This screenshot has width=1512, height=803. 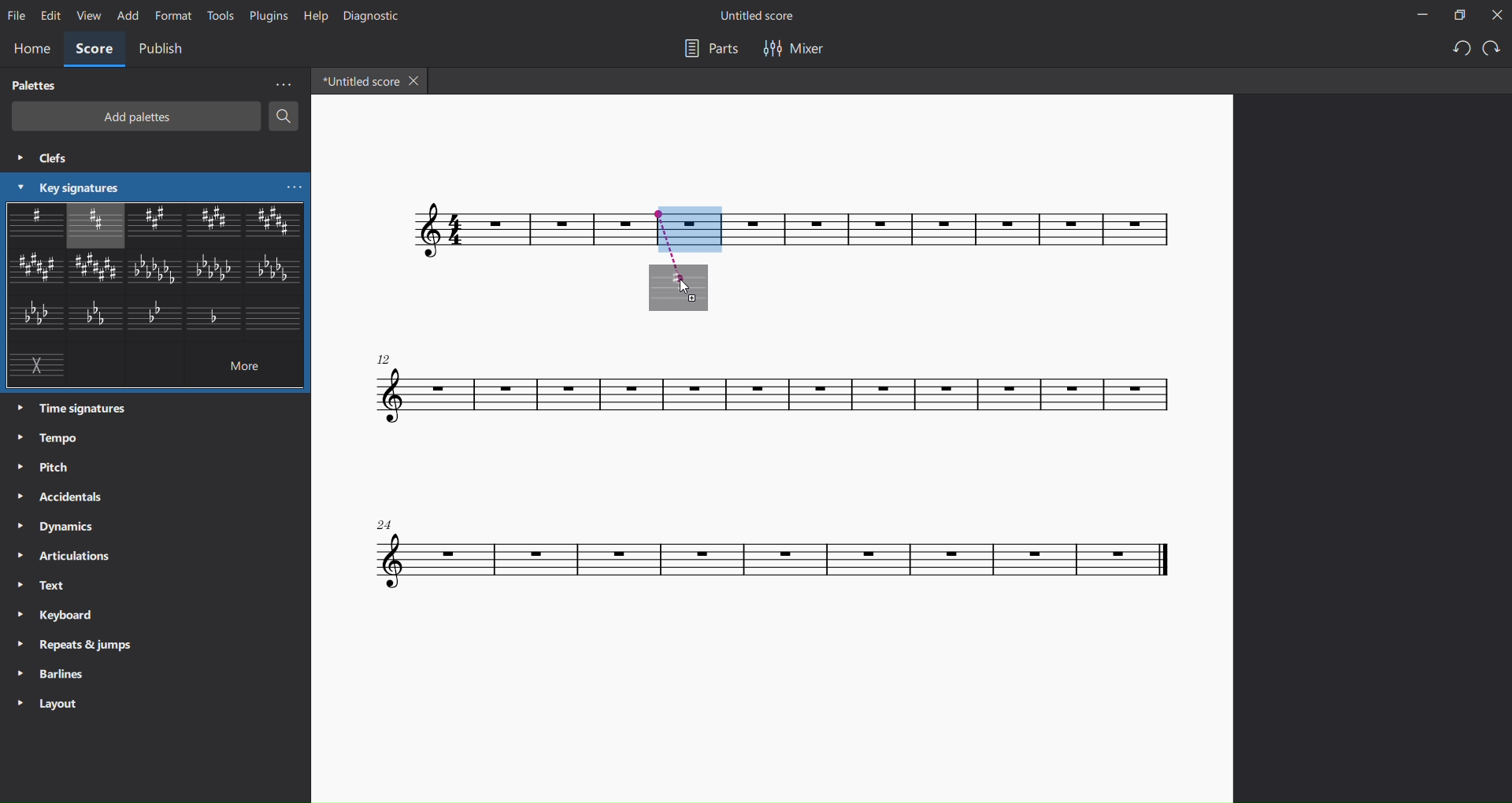 I want to click on more, so click(x=283, y=83).